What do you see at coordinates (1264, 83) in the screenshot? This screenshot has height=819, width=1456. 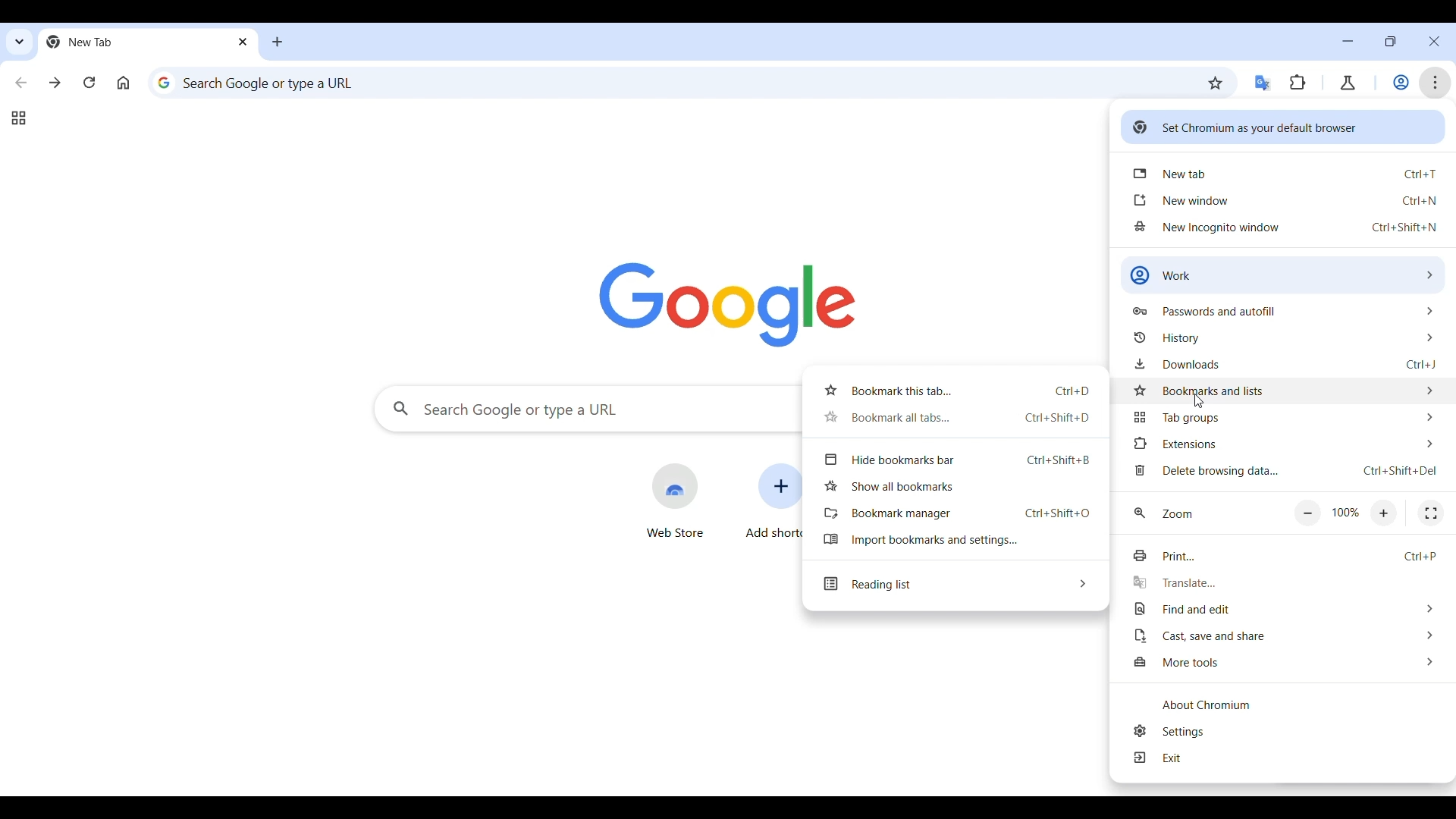 I see `Google translator extension` at bounding box center [1264, 83].